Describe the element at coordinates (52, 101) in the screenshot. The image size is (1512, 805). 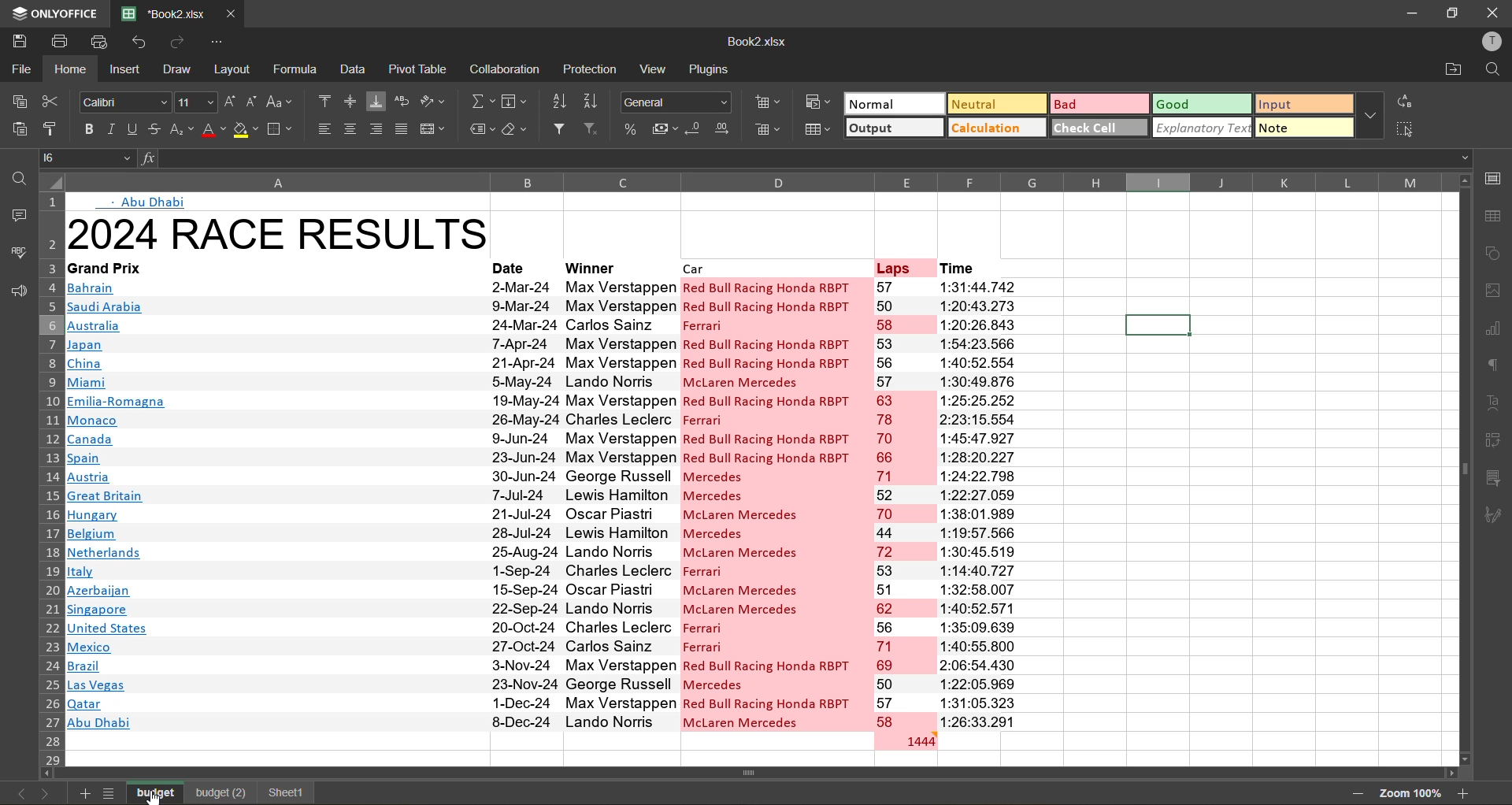
I see `cut` at that location.